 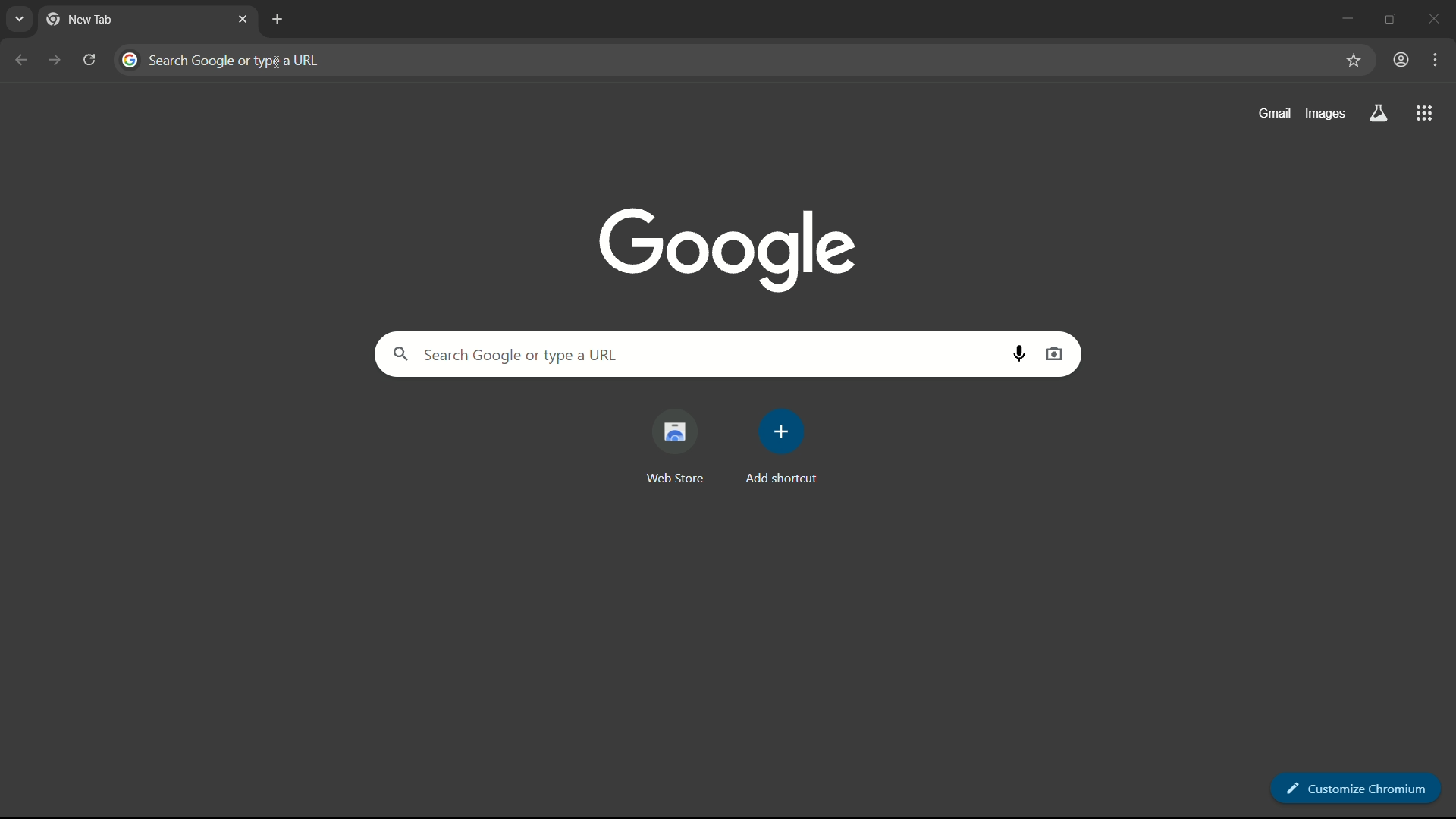 I want to click on search by voice, so click(x=1021, y=354).